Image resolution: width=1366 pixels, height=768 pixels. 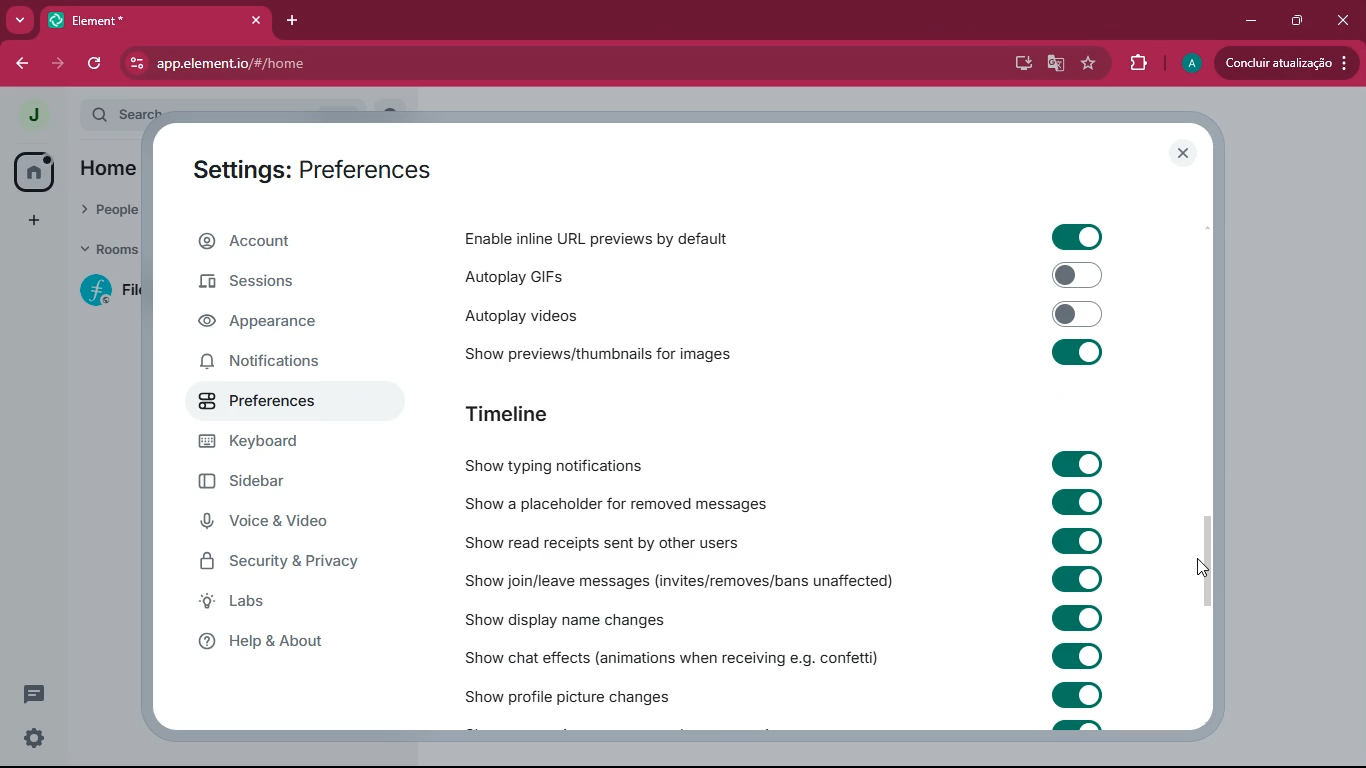 I want to click on settings: preferences, so click(x=323, y=168).